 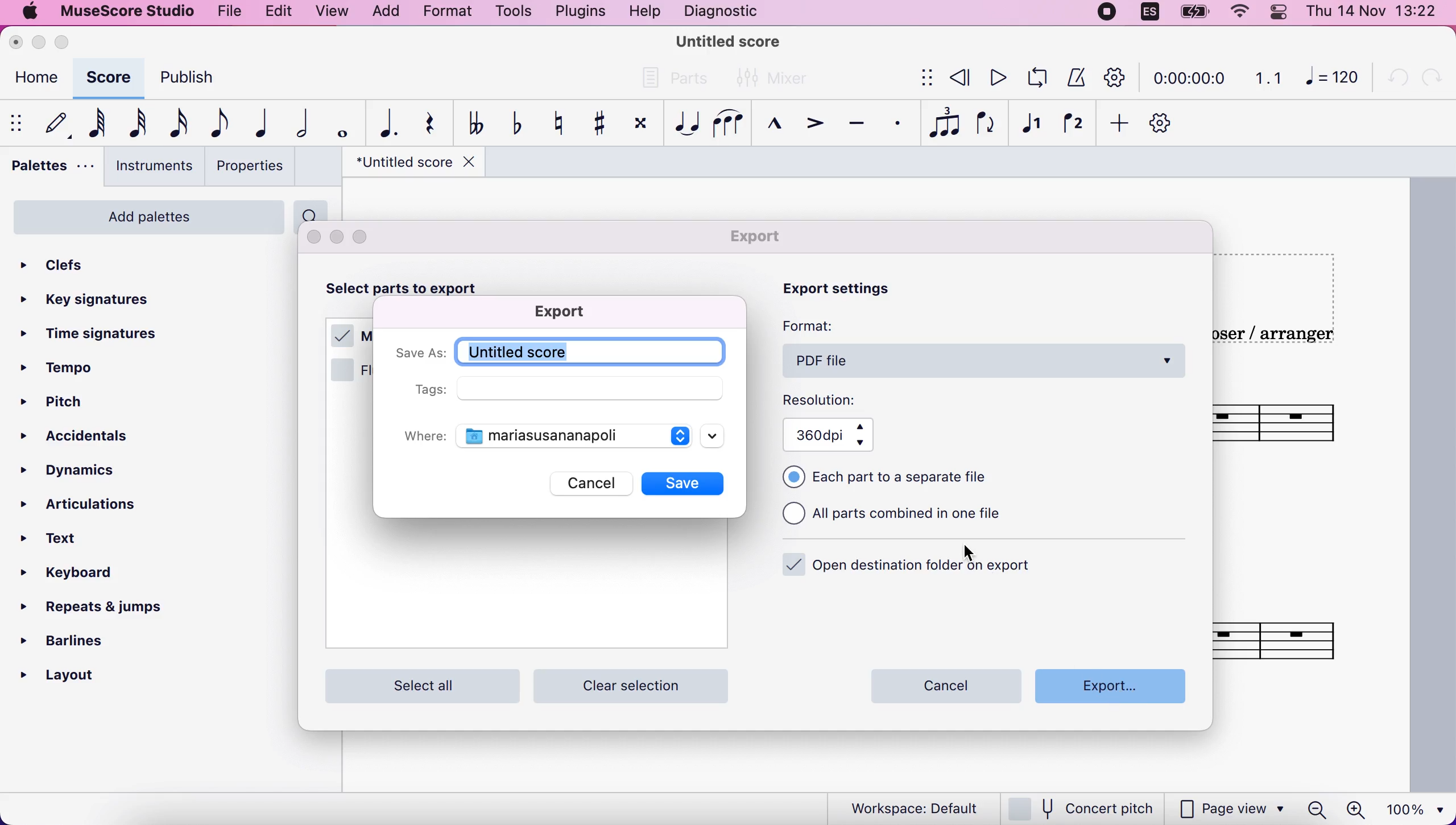 I want to click on export, so click(x=1107, y=689).